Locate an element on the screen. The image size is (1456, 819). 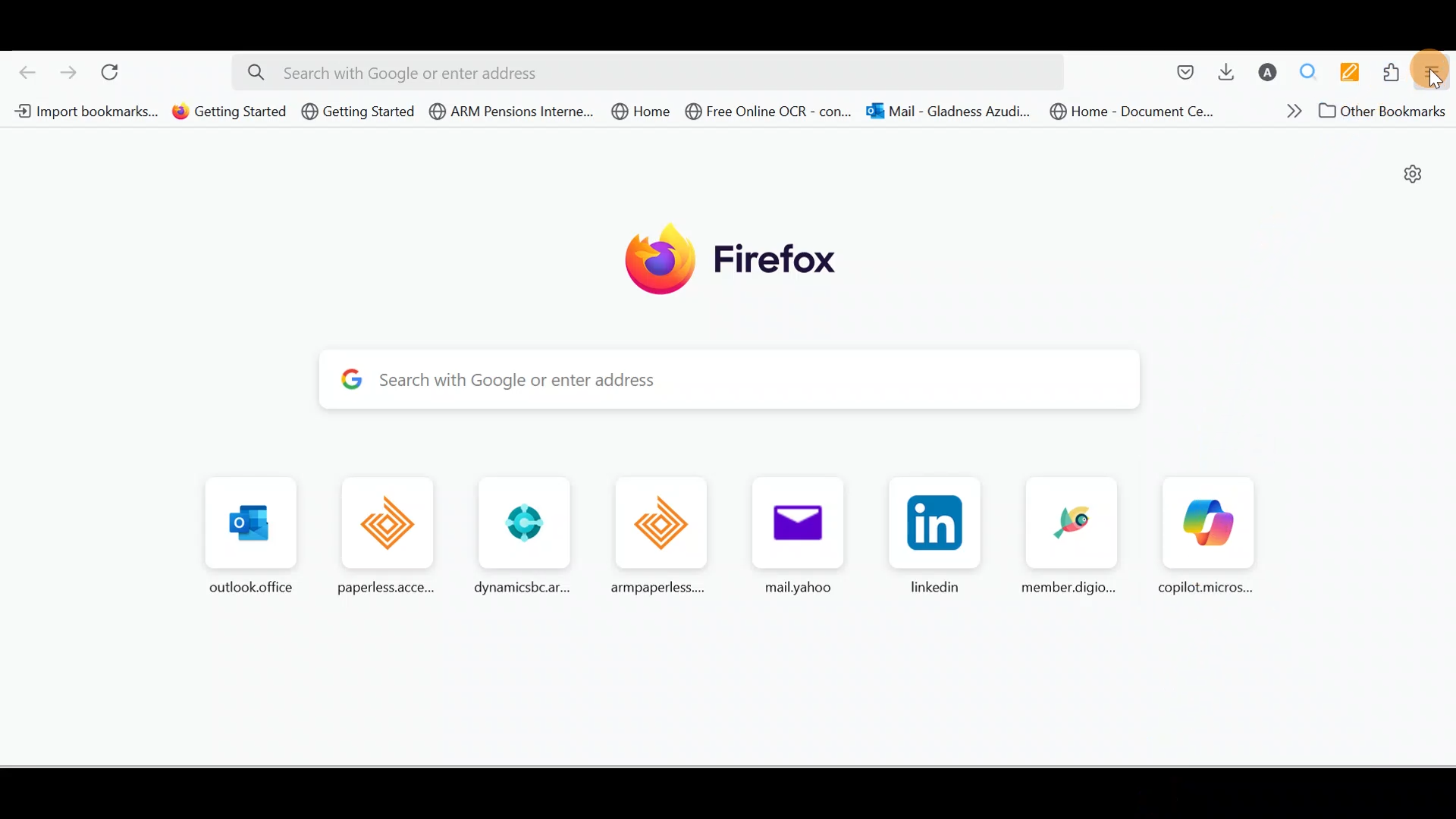
Mail - Gladness Azudi... is located at coordinates (952, 111).